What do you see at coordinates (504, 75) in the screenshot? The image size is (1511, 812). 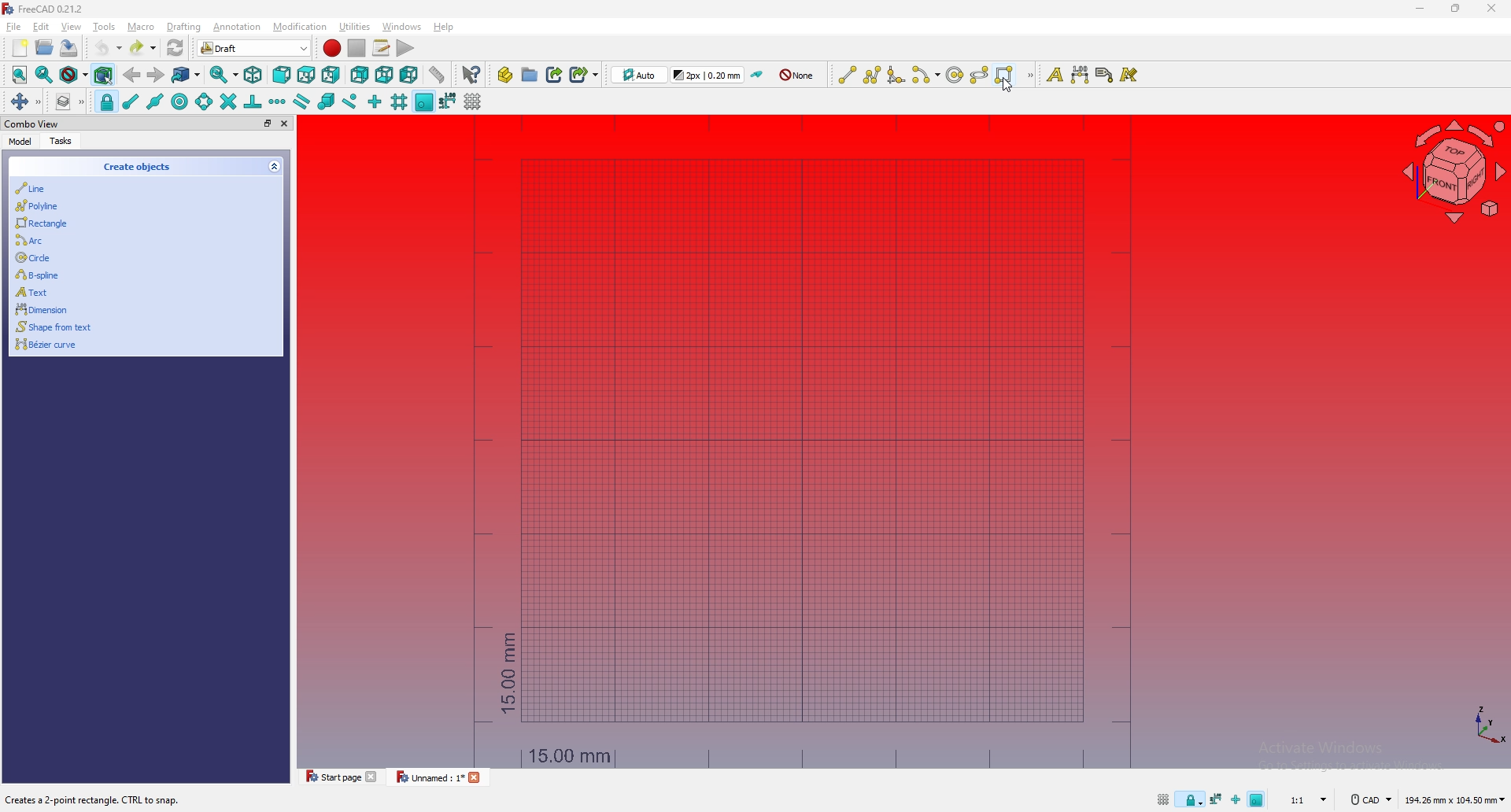 I see `create part` at bounding box center [504, 75].